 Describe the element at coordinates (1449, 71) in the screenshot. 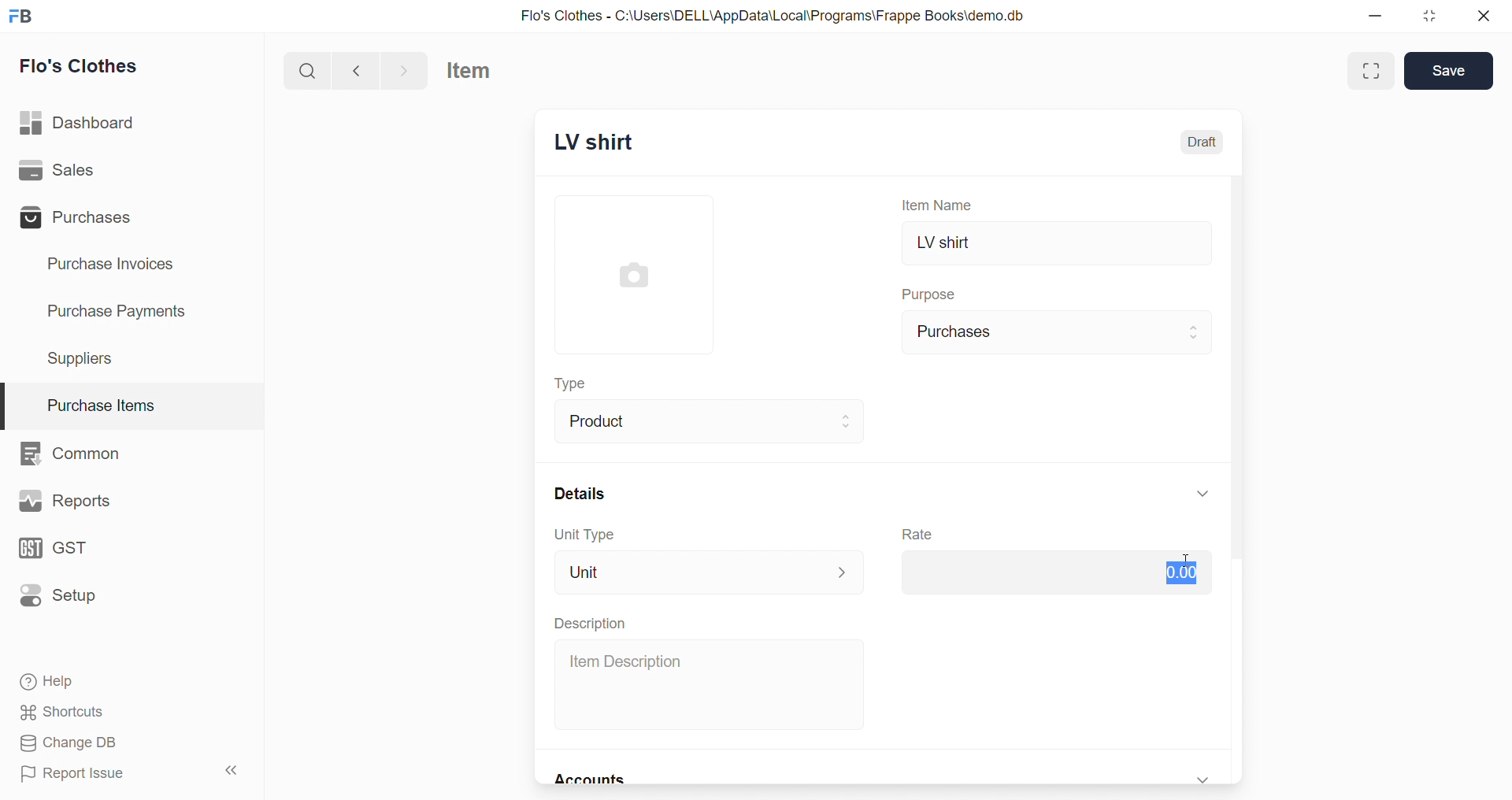

I see `Save` at that location.